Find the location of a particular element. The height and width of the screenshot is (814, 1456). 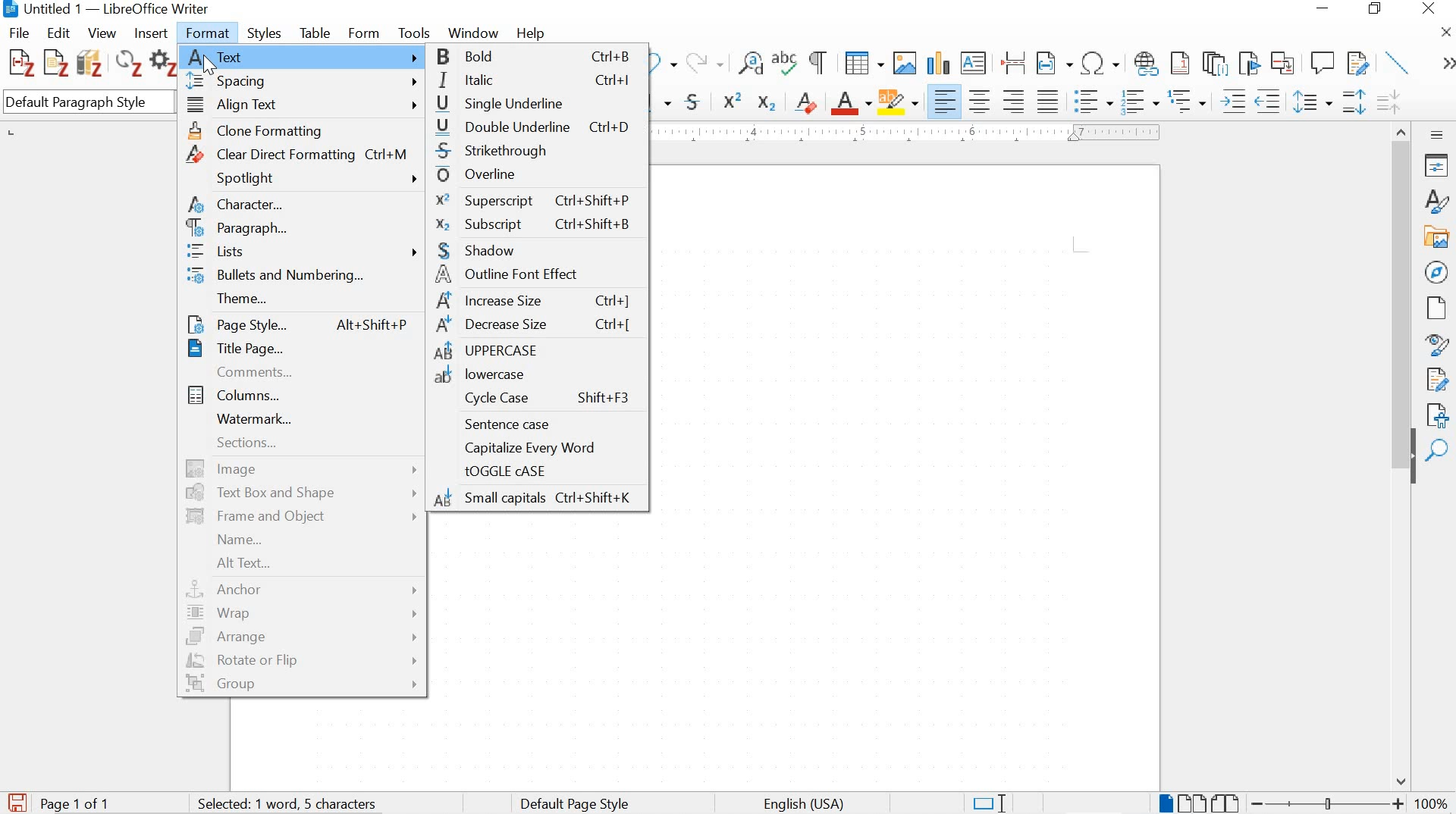

shadow is located at coordinates (535, 250).